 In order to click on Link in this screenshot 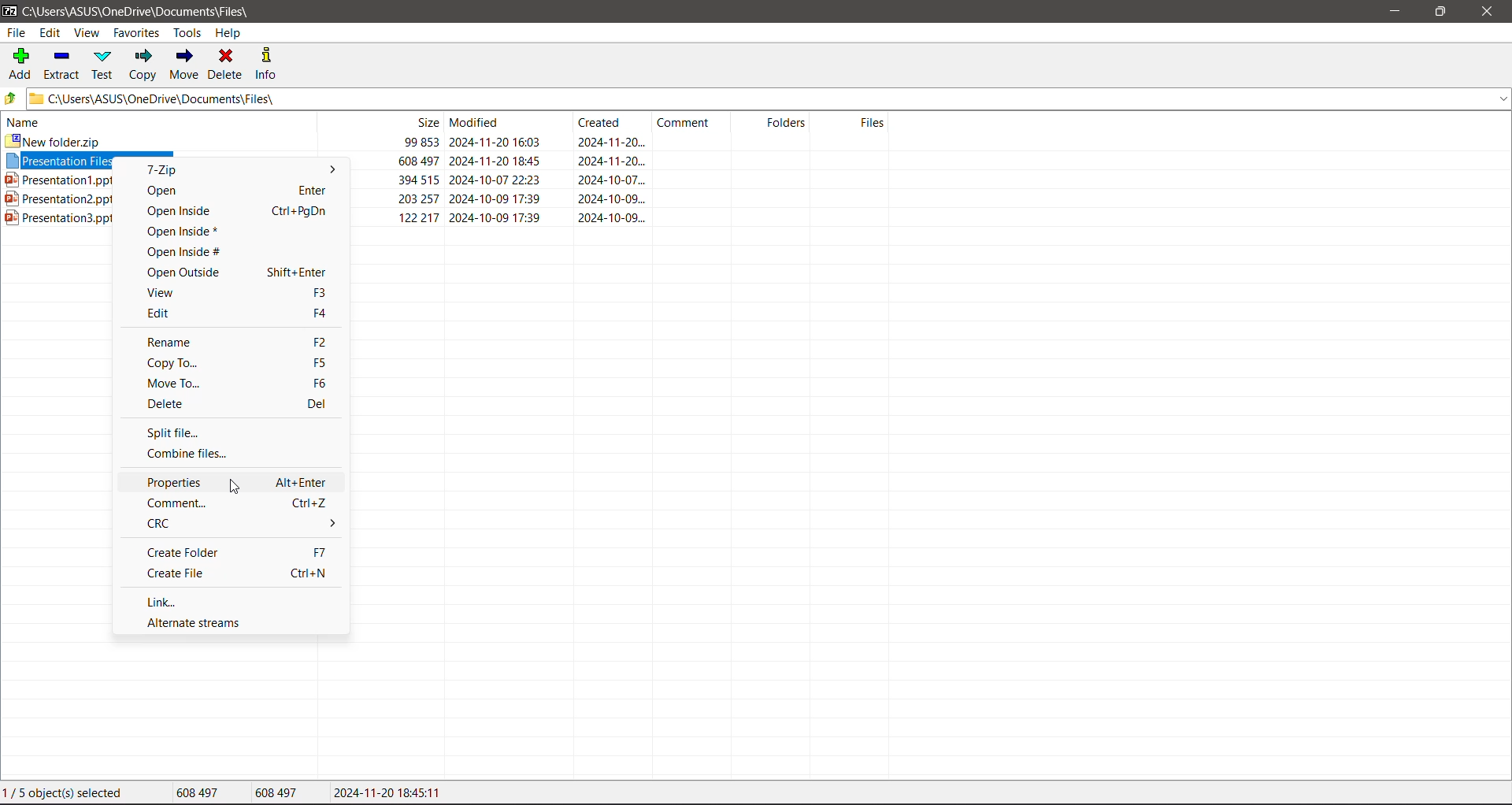, I will do `click(167, 600)`.